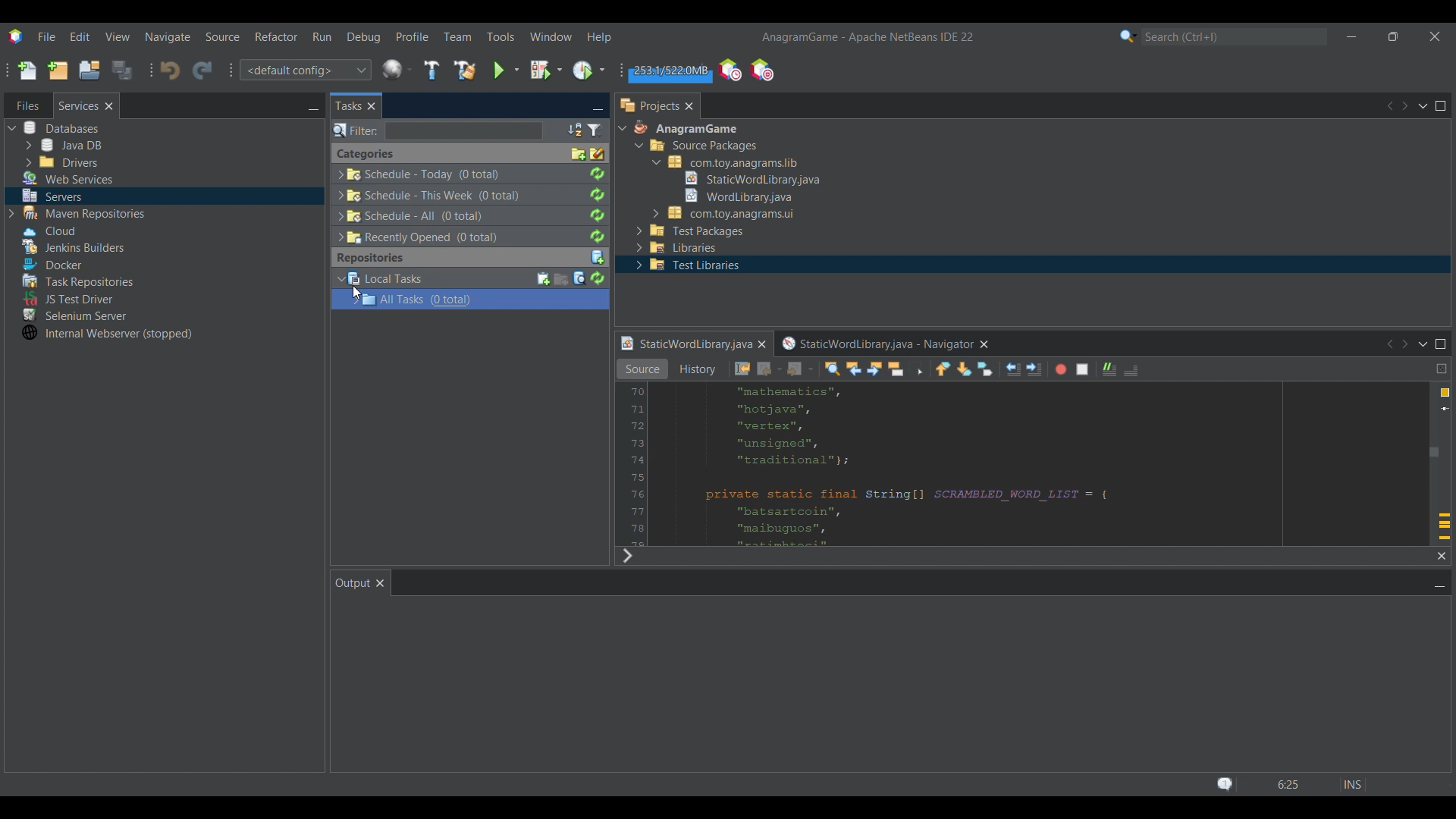 This screenshot has width=1456, height=819. I want to click on Software name and version, so click(867, 38).